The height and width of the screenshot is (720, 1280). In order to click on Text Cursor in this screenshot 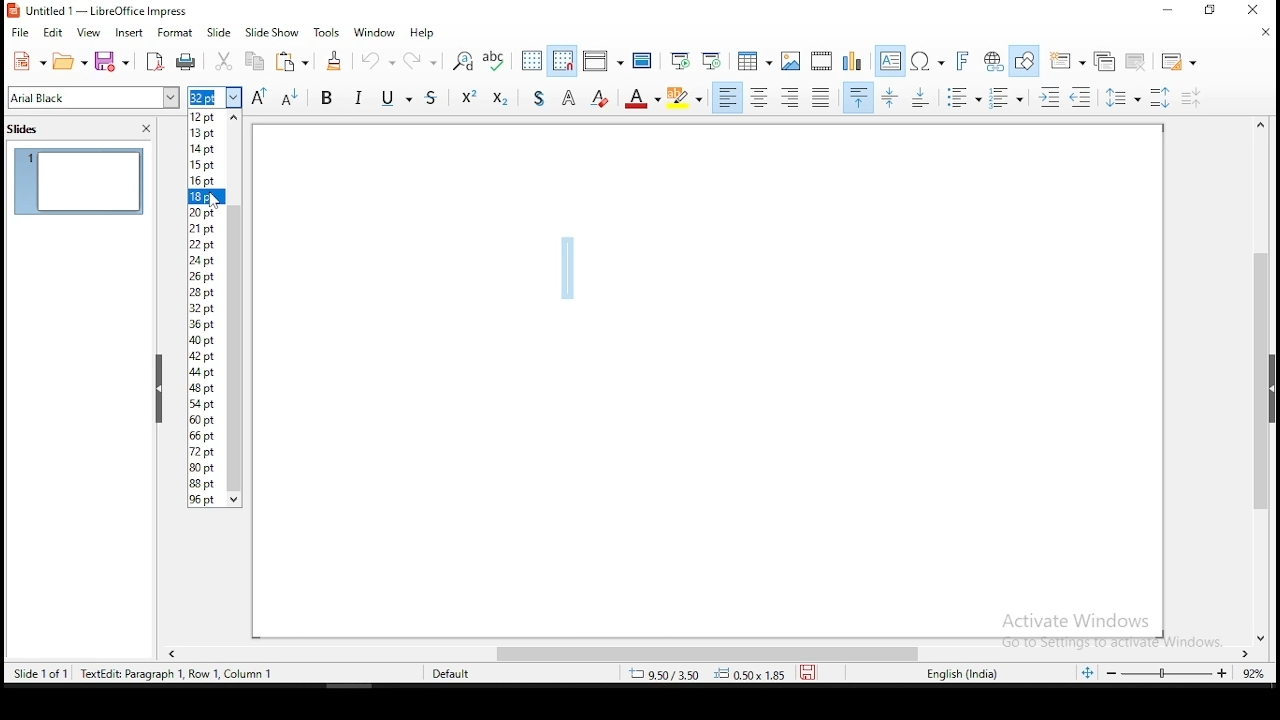, I will do `click(567, 265)`.